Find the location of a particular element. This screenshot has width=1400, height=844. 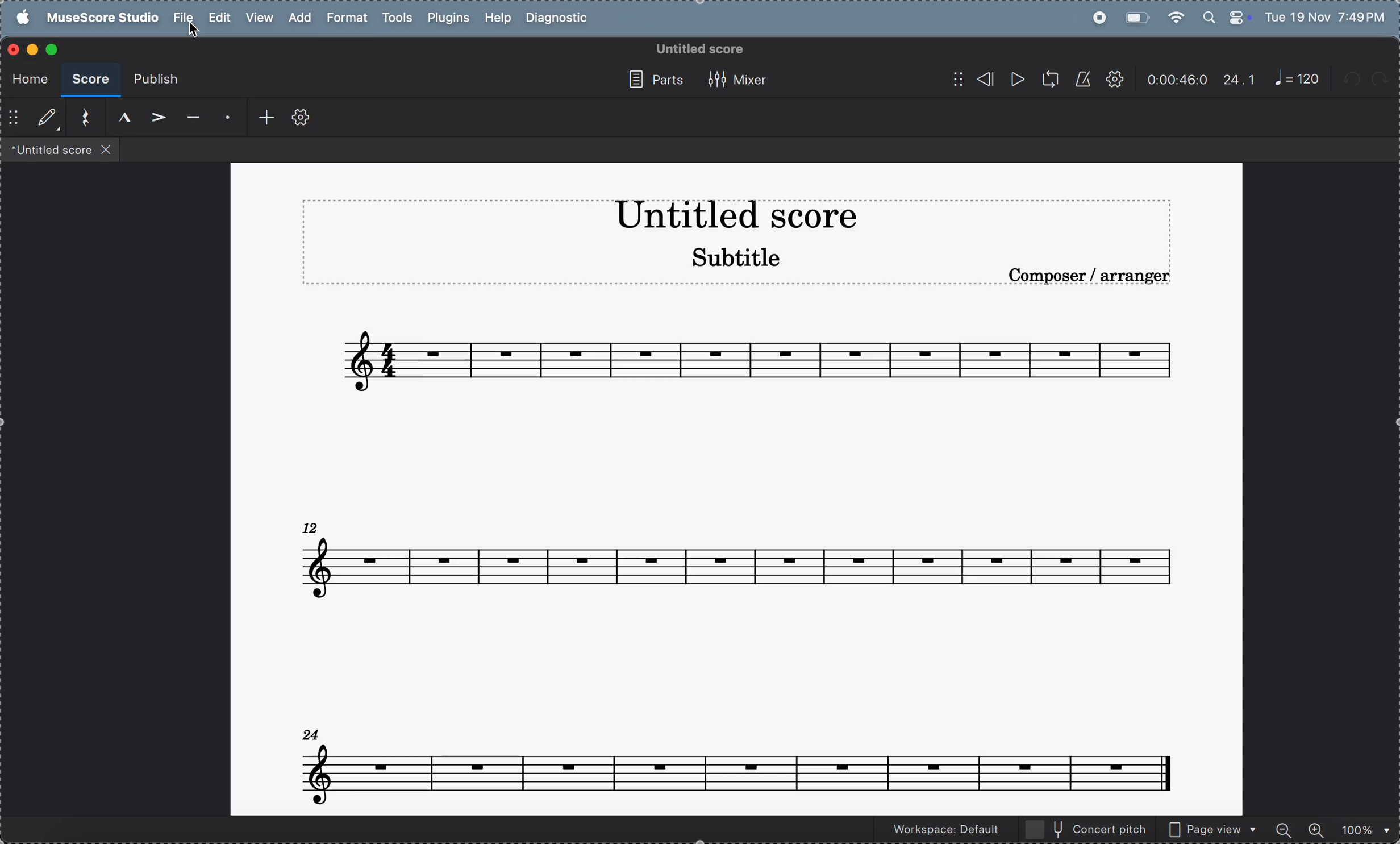

tenuto is located at coordinates (190, 119).